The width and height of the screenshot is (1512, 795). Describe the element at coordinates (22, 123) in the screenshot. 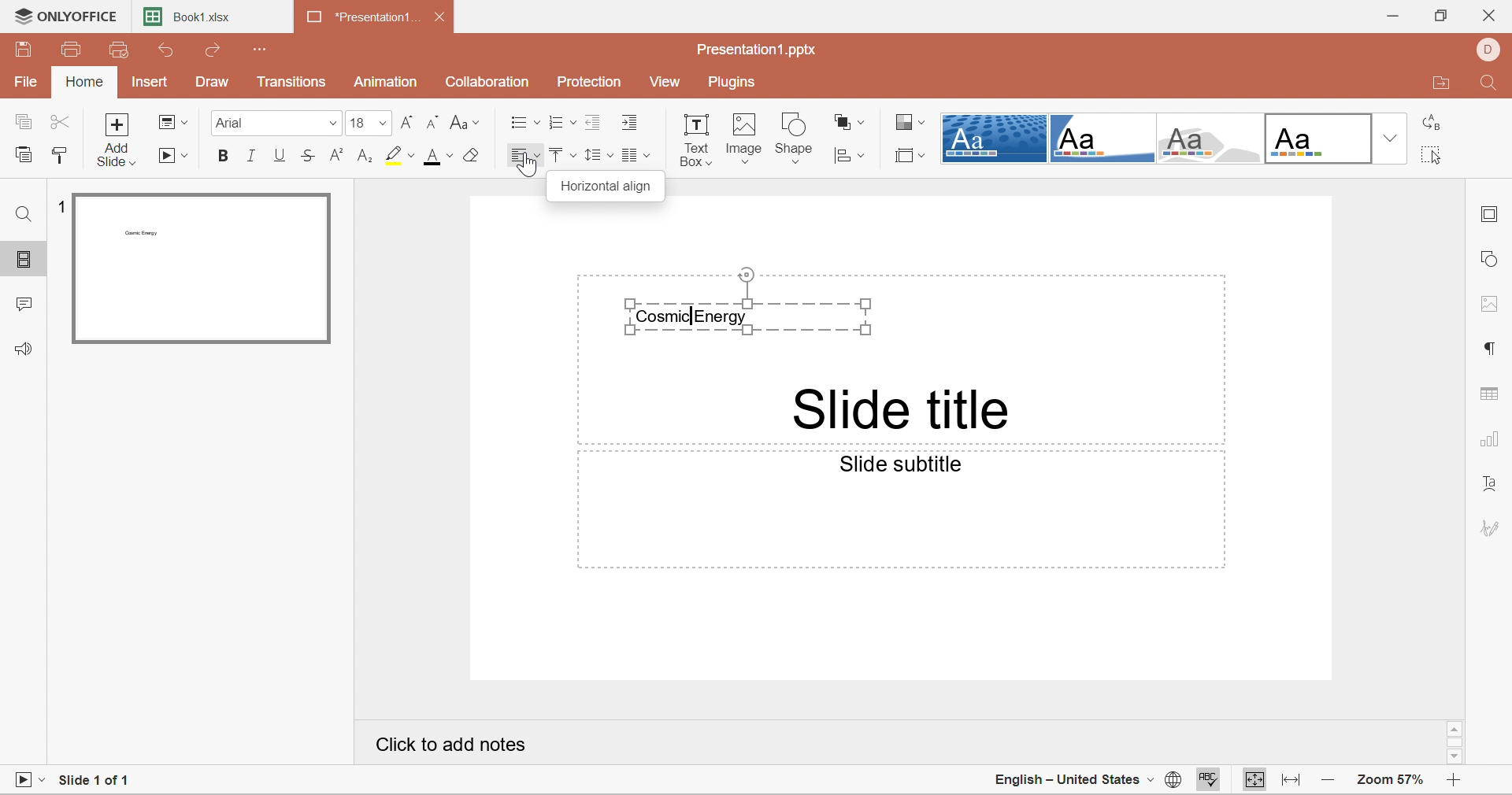

I see `Copy` at that location.